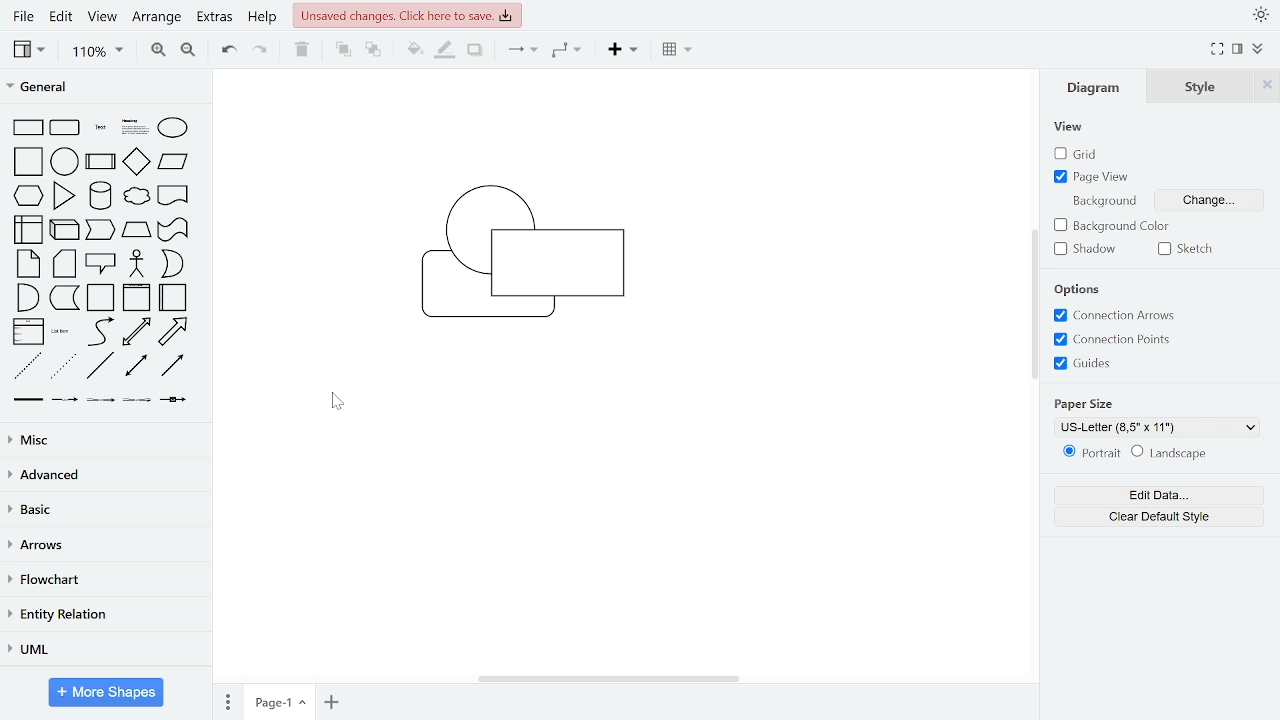 The height and width of the screenshot is (720, 1280). I want to click on ellipse, so click(174, 128).